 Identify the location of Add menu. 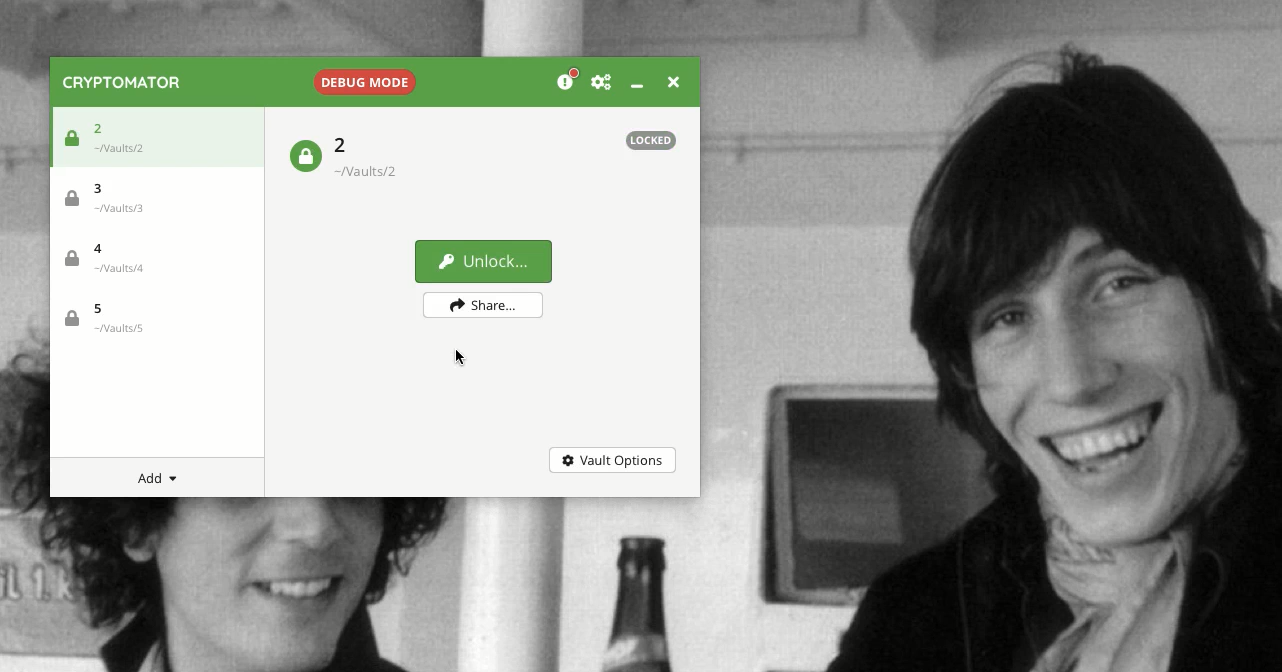
(161, 479).